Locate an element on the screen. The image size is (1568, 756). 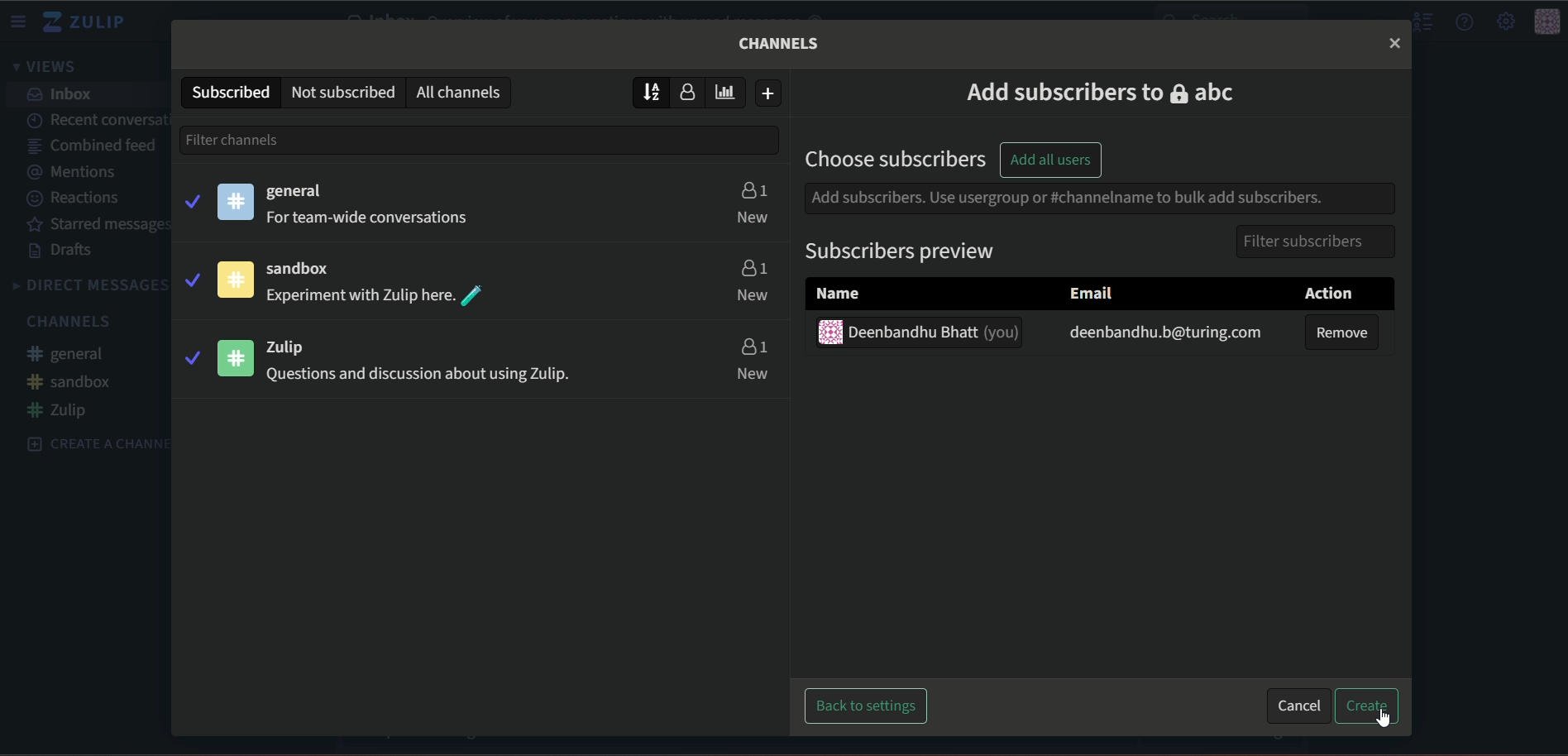
help menu is located at coordinates (1465, 22).